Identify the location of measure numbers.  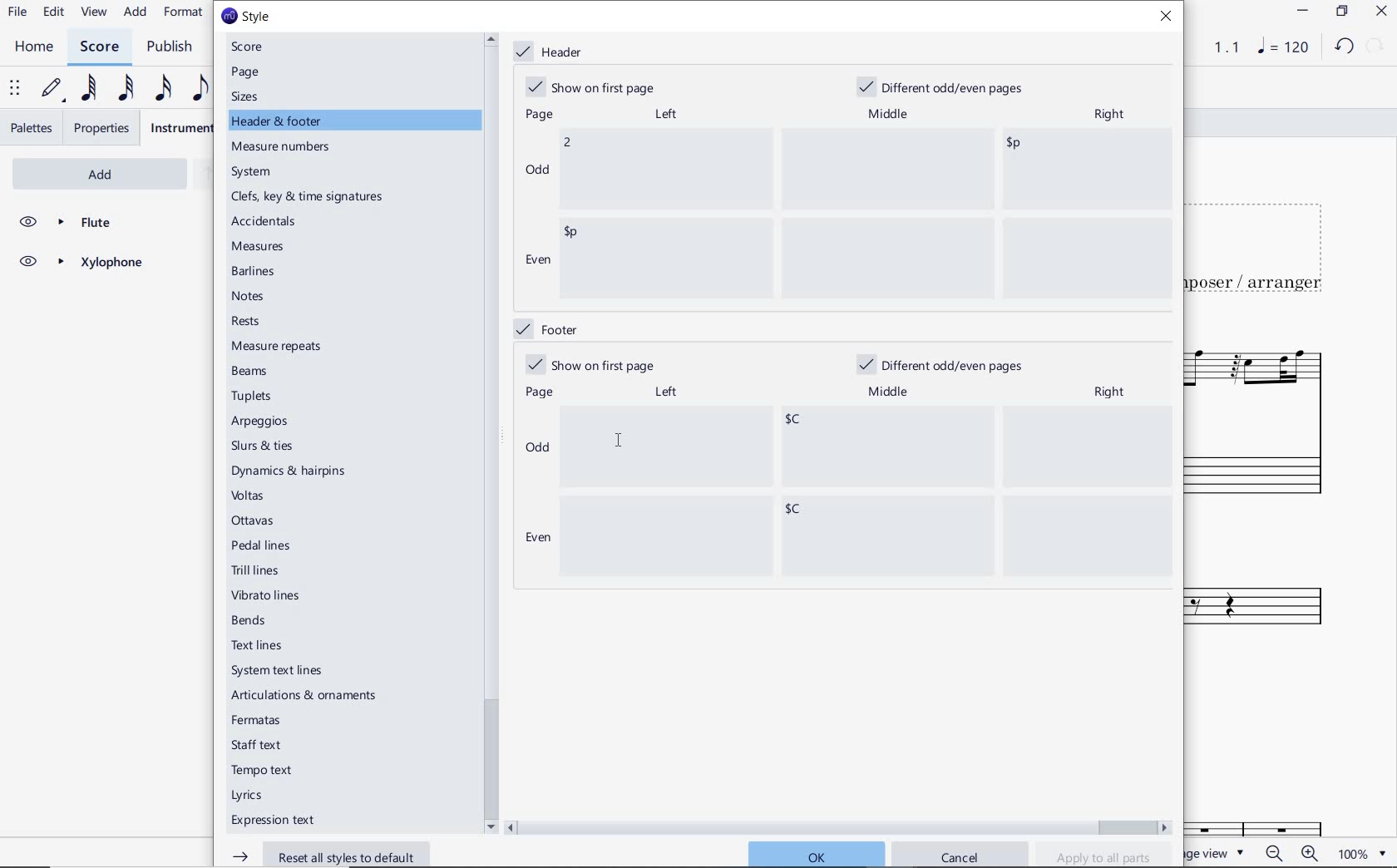
(284, 148).